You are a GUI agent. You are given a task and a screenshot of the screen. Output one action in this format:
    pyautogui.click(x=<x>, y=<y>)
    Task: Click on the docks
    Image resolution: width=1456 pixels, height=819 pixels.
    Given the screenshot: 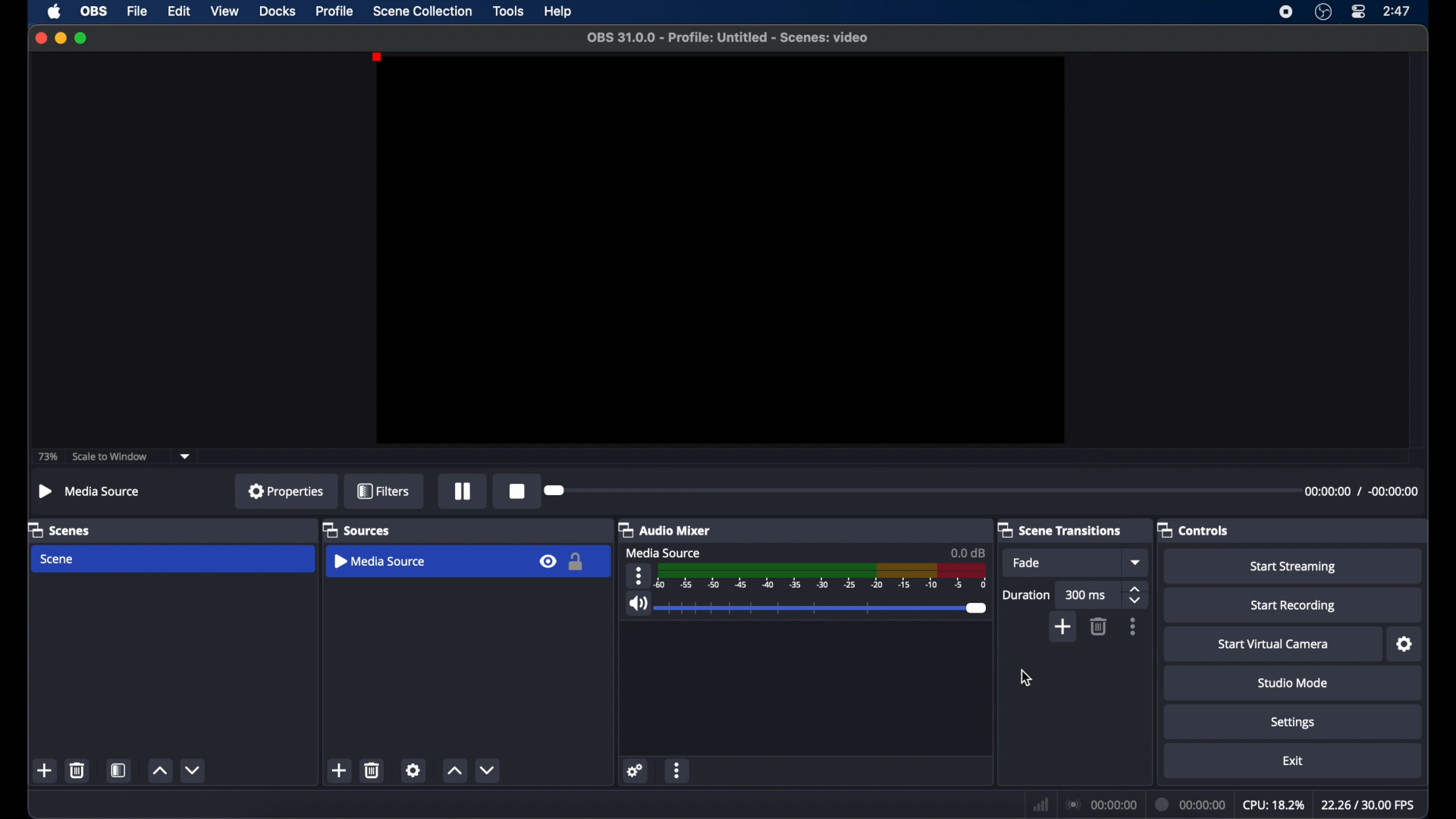 What is the action you would take?
    pyautogui.click(x=278, y=11)
    